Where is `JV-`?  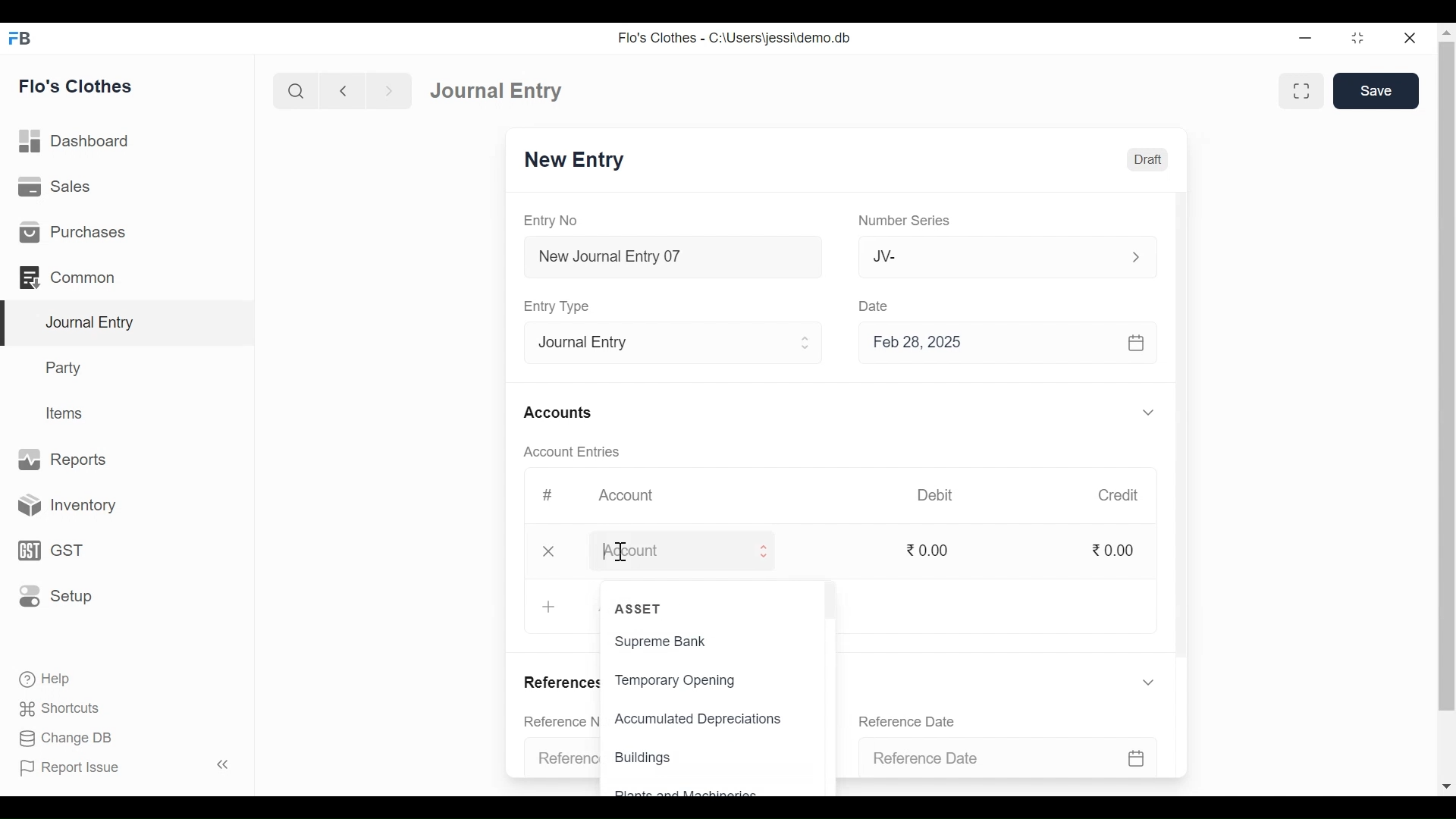 JV- is located at coordinates (990, 257).